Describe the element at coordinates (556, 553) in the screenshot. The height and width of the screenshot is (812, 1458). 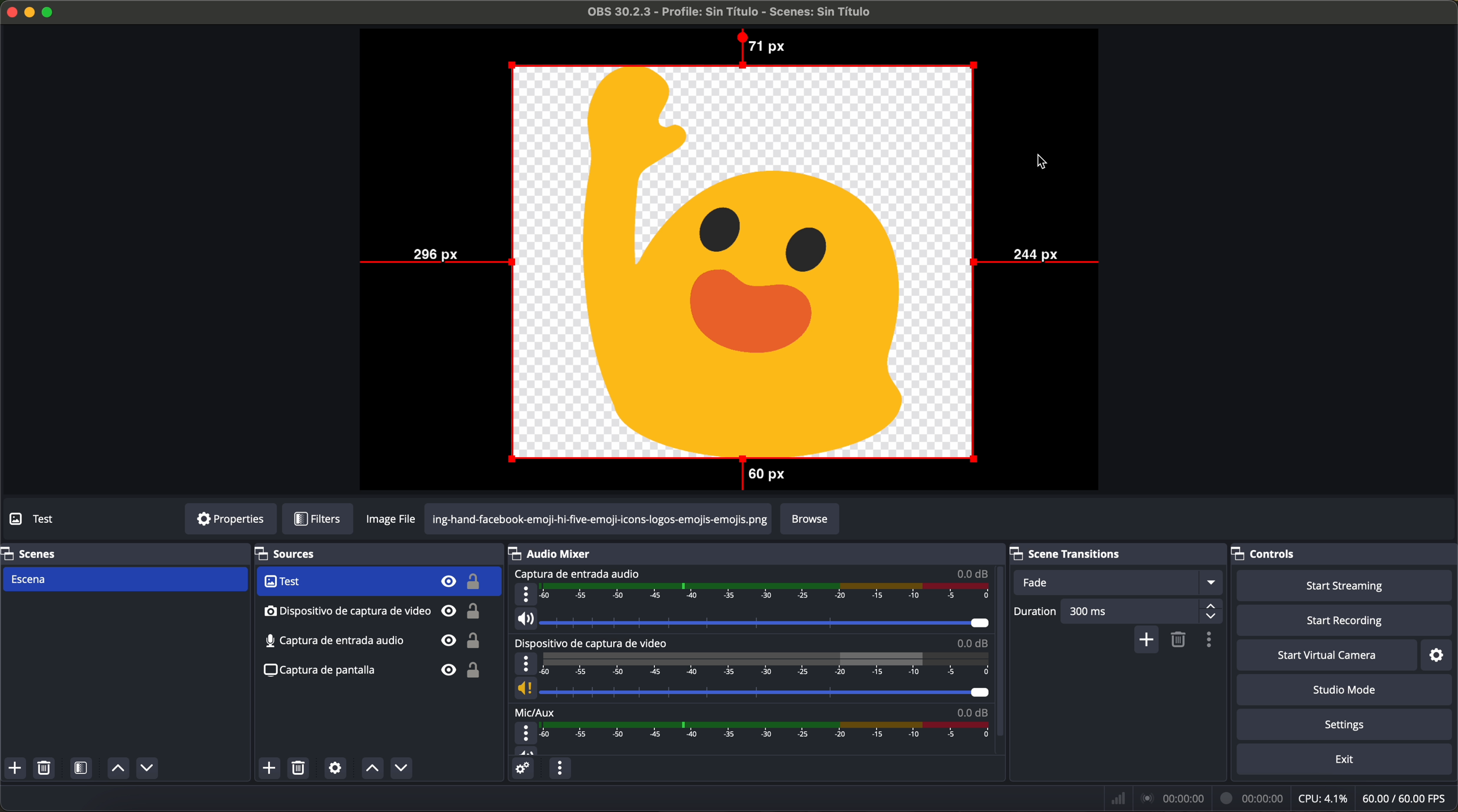
I see `audio mixer` at that location.